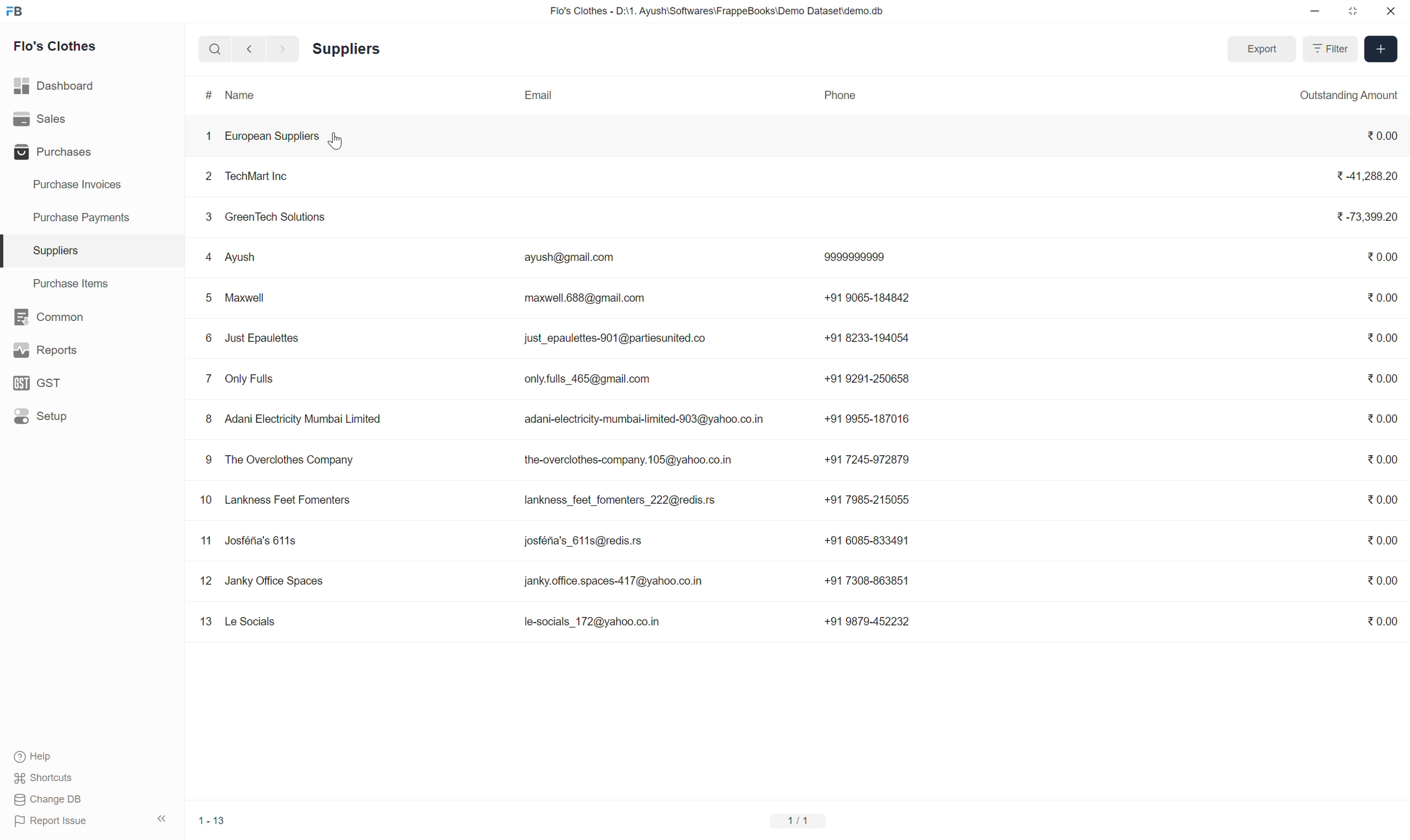 This screenshot has height=840, width=1410. Describe the element at coordinates (203, 134) in the screenshot. I see `1` at that location.